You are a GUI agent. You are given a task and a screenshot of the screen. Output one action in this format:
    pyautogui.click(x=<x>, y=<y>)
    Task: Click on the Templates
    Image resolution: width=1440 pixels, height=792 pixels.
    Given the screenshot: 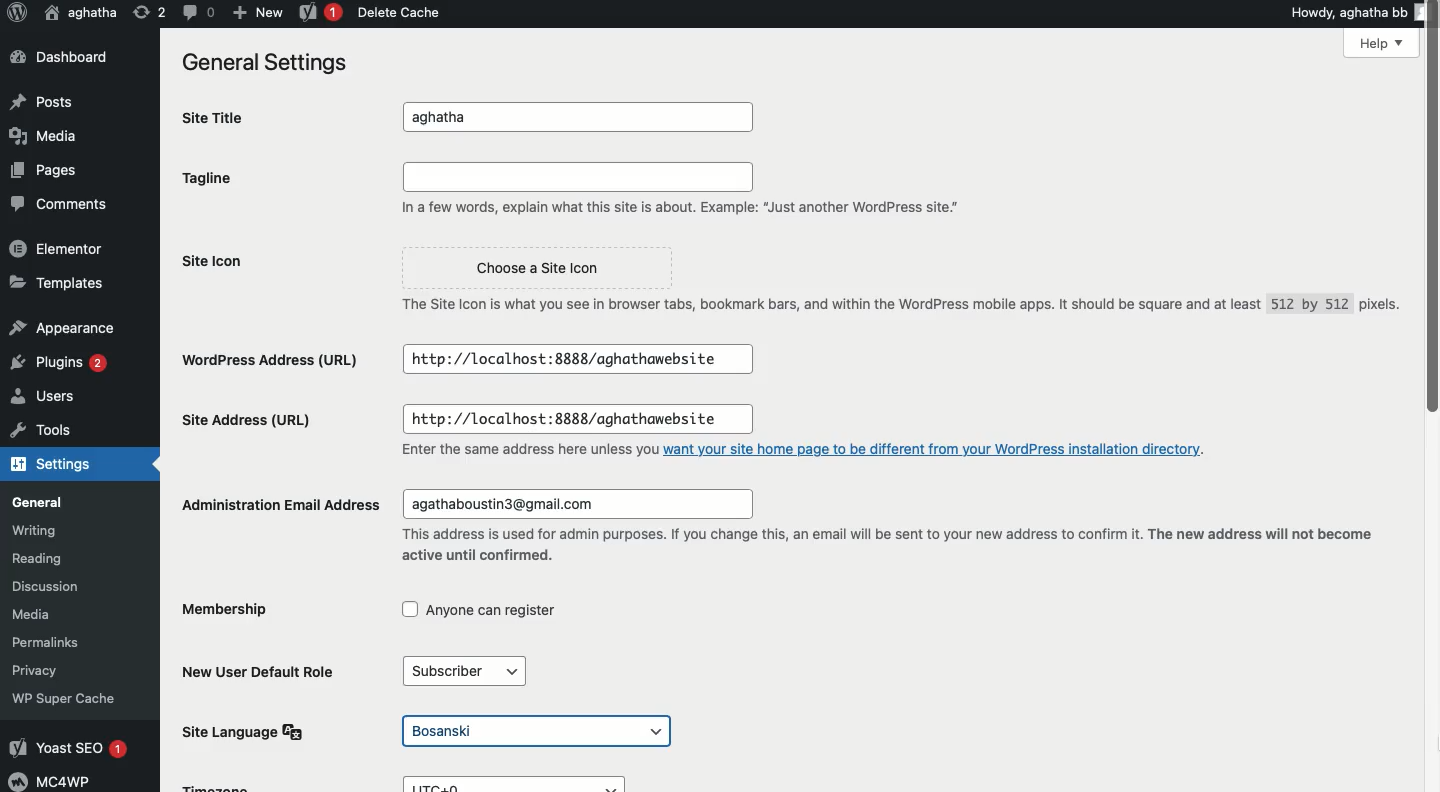 What is the action you would take?
    pyautogui.click(x=53, y=282)
    